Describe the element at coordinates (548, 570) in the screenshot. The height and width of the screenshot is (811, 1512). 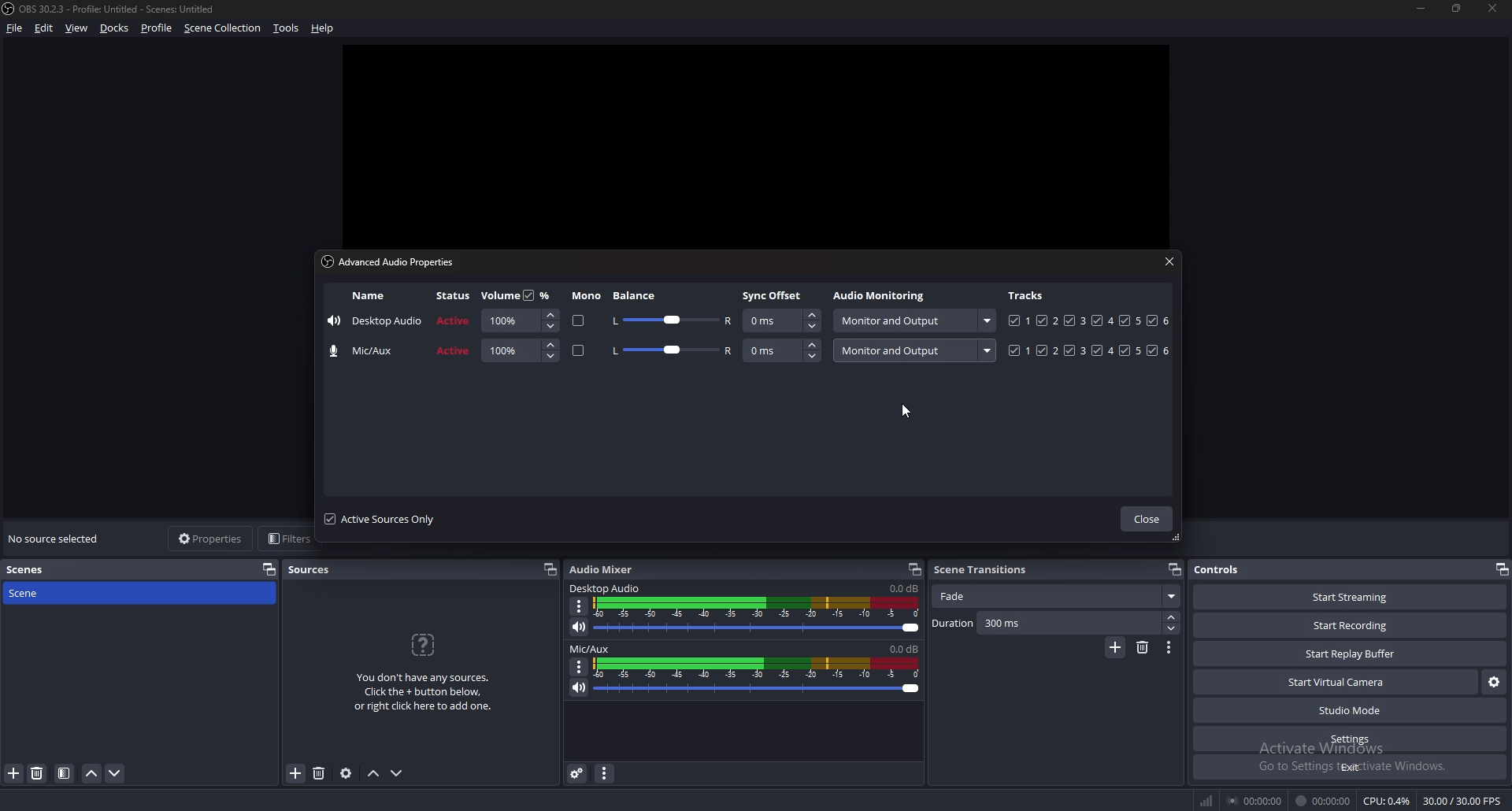
I see `popout` at that location.